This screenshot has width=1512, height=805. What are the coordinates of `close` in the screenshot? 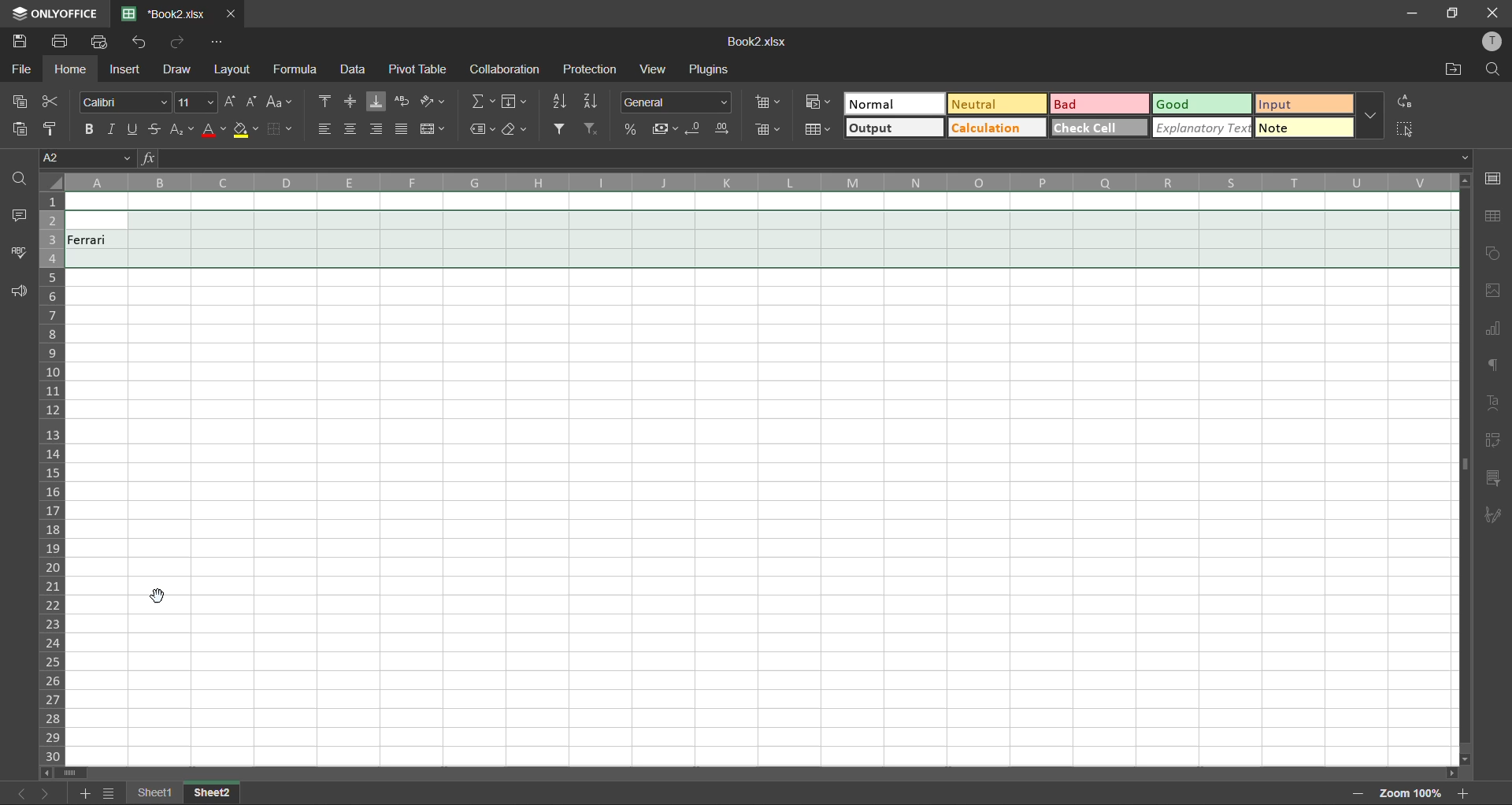 It's located at (1493, 13).